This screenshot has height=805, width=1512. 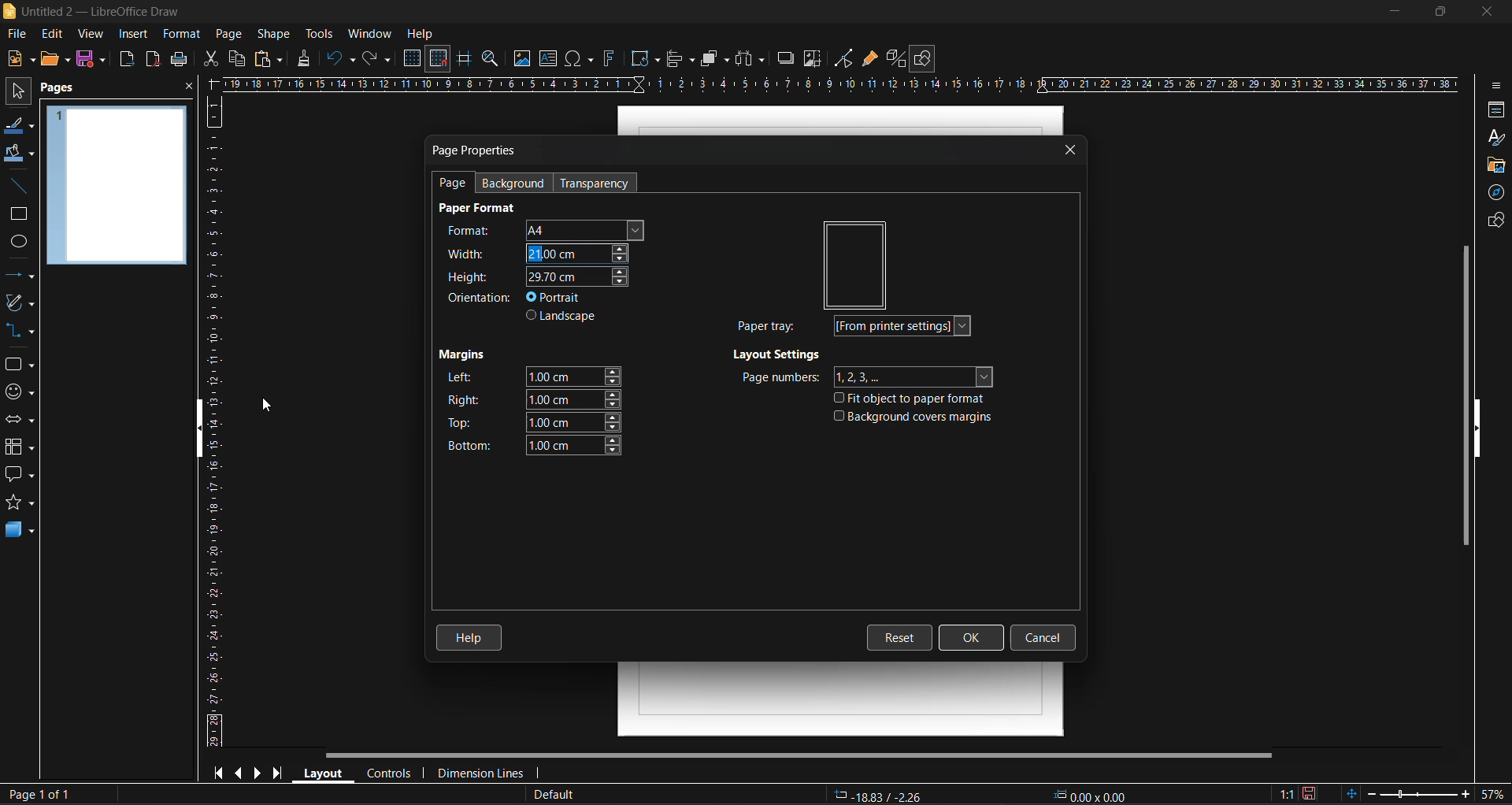 What do you see at coordinates (373, 33) in the screenshot?
I see `window` at bounding box center [373, 33].